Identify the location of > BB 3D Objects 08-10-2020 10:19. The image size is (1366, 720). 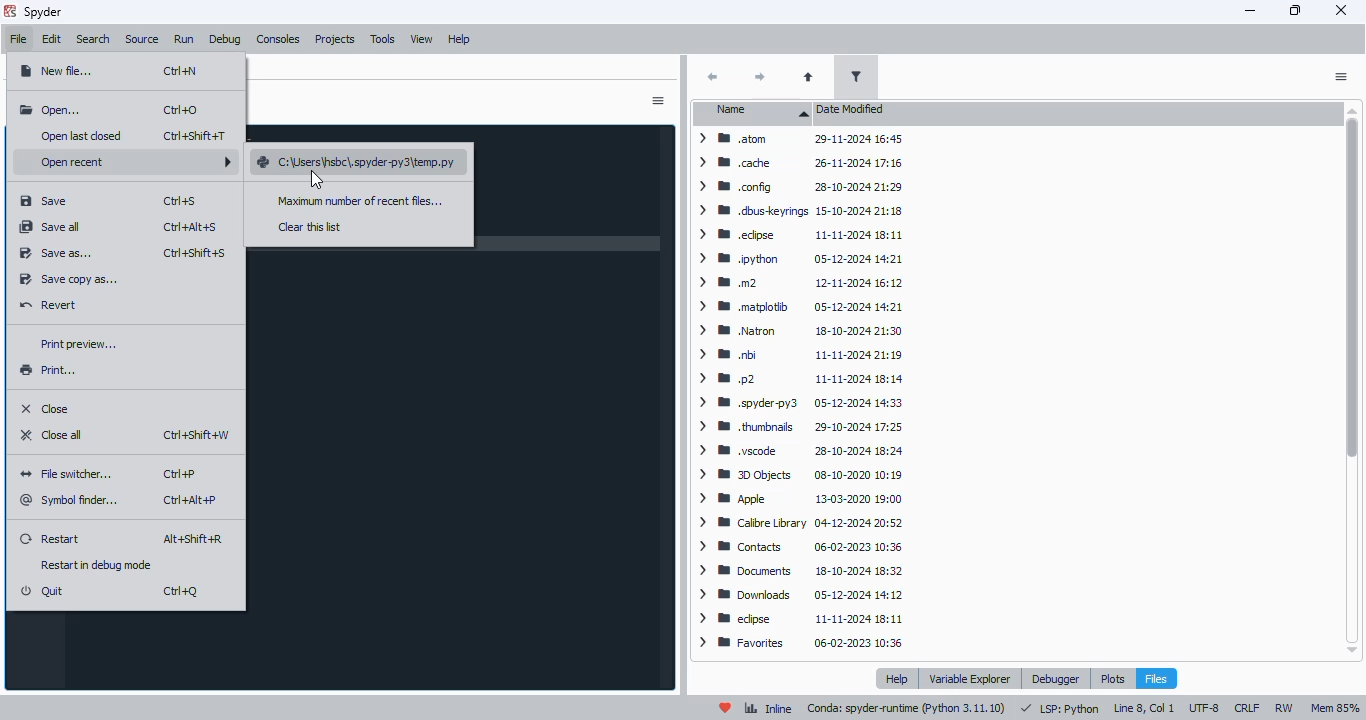
(796, 473).